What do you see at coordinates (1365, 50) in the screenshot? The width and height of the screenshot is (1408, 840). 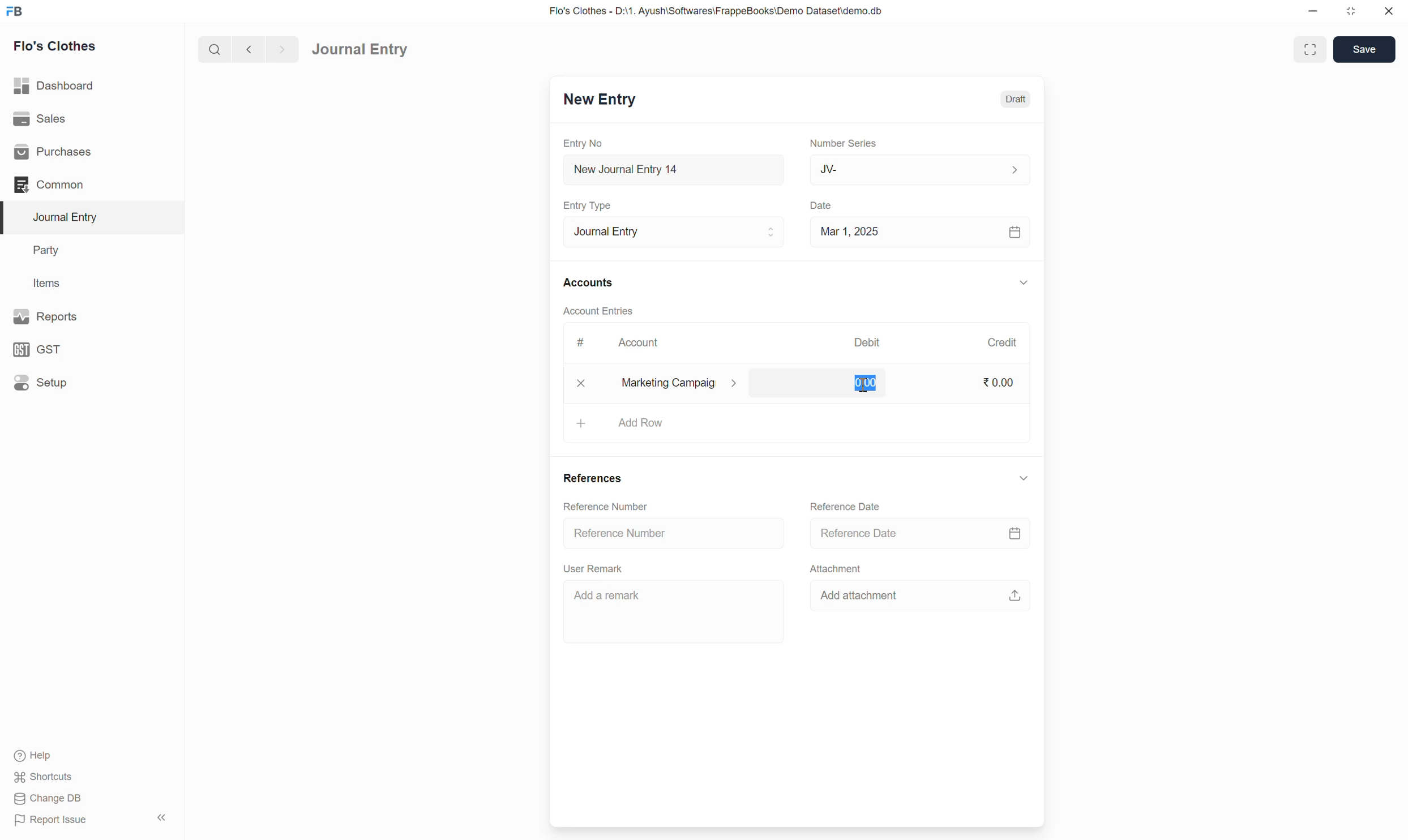 I see `Save` at bounding box center [1365, 50].